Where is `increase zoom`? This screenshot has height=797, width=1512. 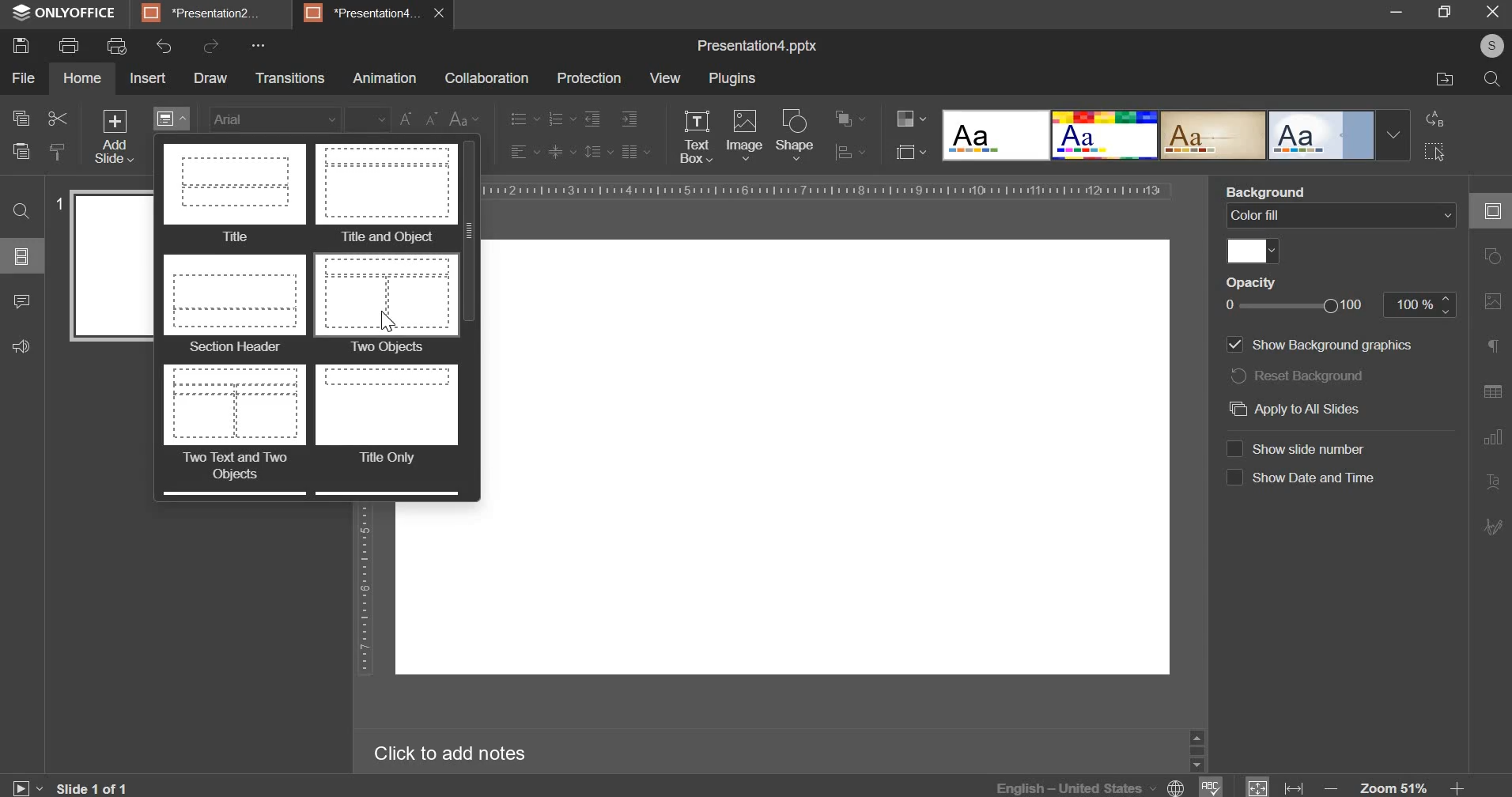 increase zoom is located at coordinates (1457, 788).